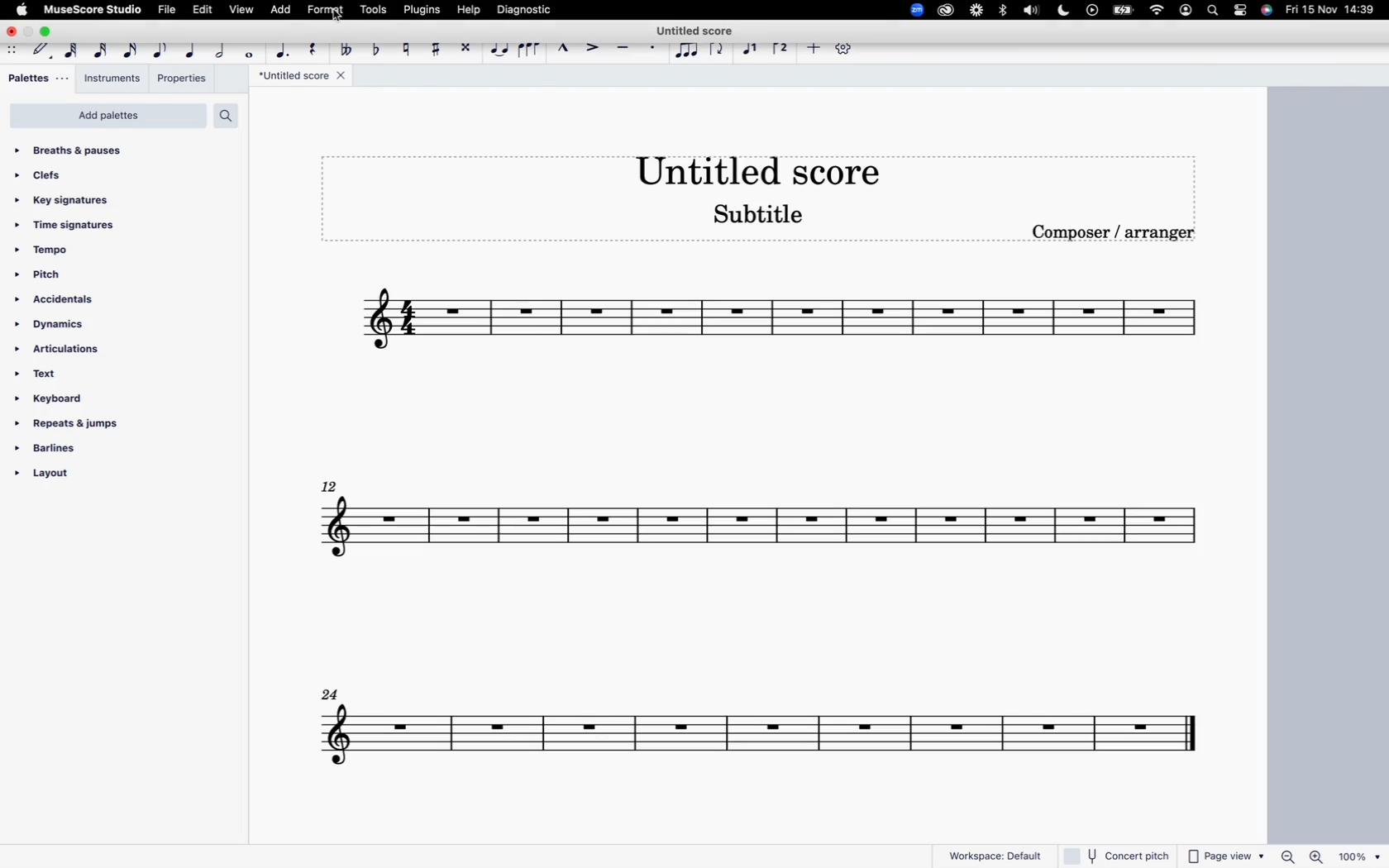 The height and width of the screenshot is (868, 1389). What do you see at coordinates (70, 51) in the screenshot?
I see `64th note` at bounding box center [70, 51].